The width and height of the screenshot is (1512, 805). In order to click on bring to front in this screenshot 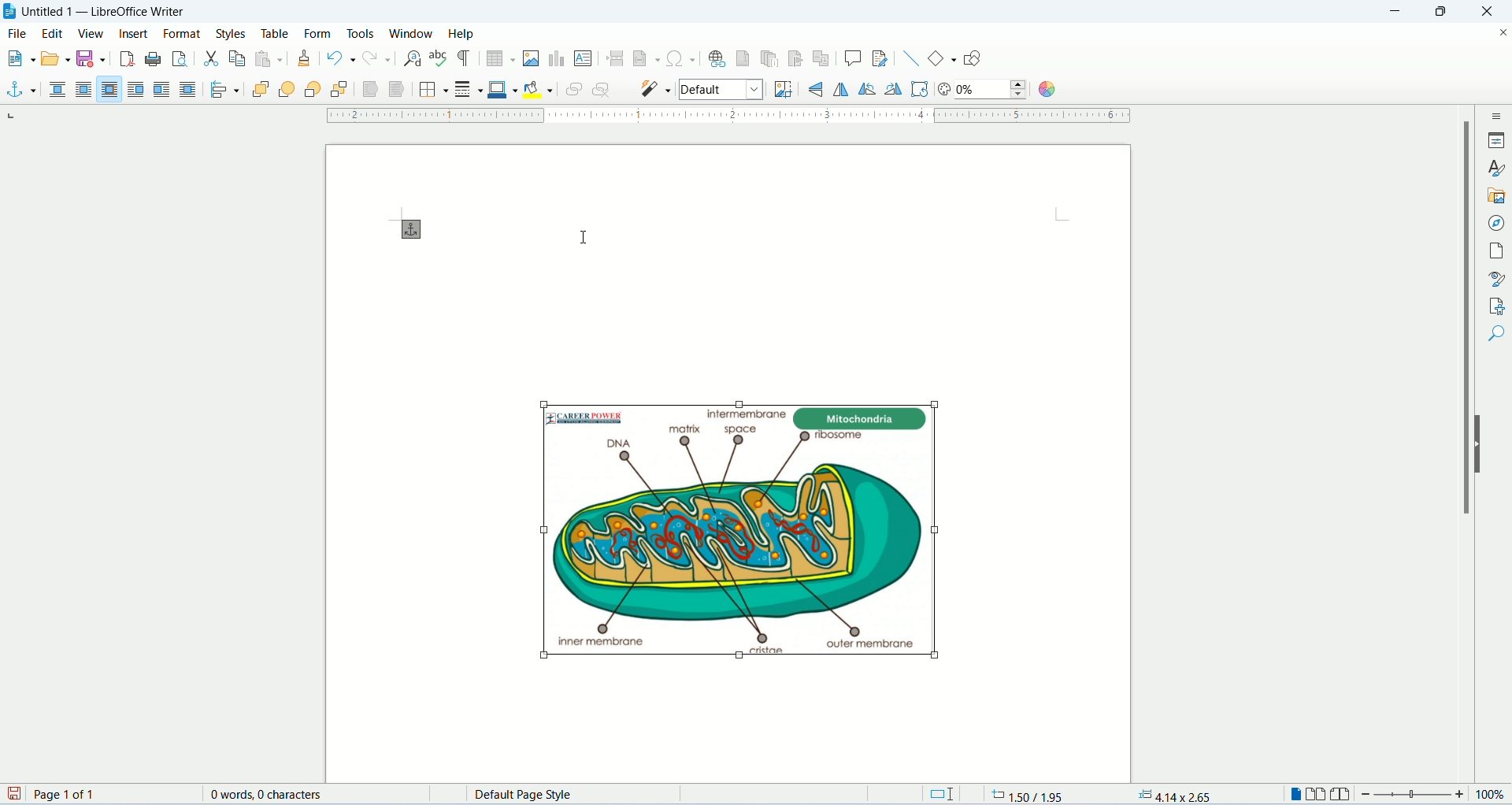, I will do `click(259, 91)`.